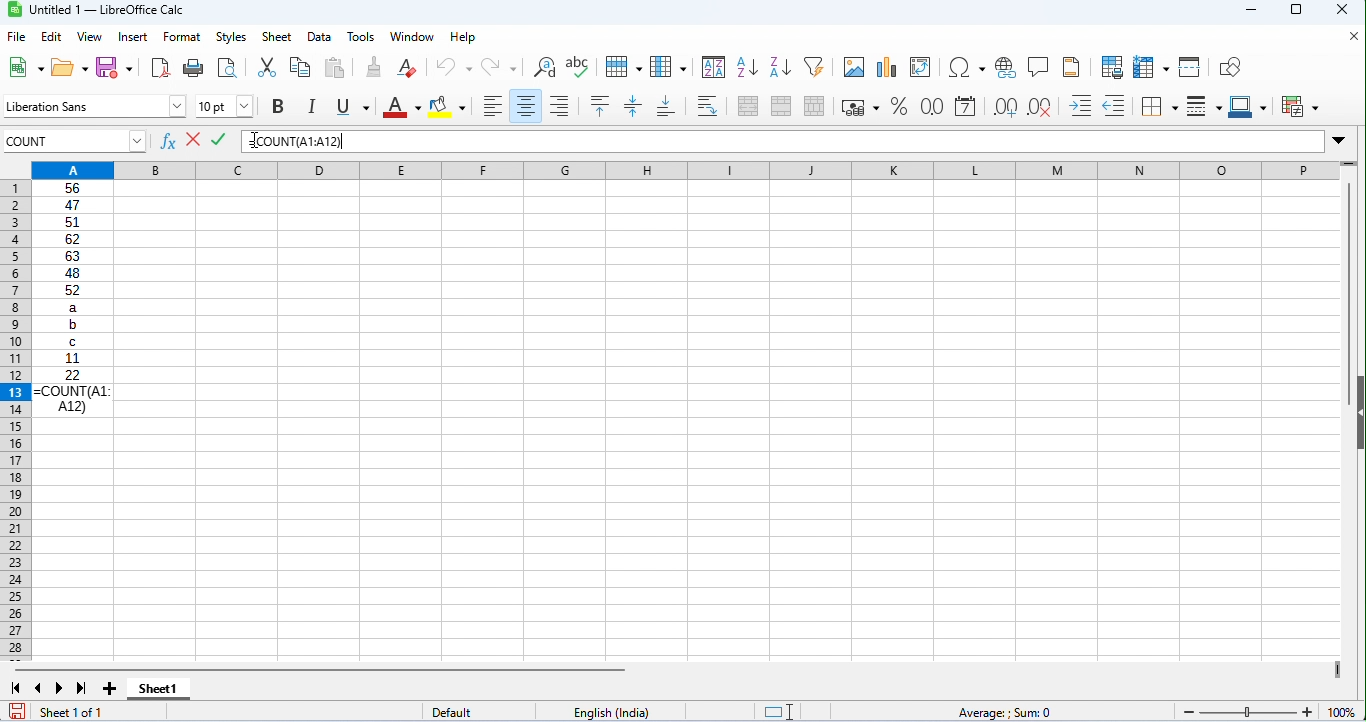  I want to click on input cell number, so click(90, 141).